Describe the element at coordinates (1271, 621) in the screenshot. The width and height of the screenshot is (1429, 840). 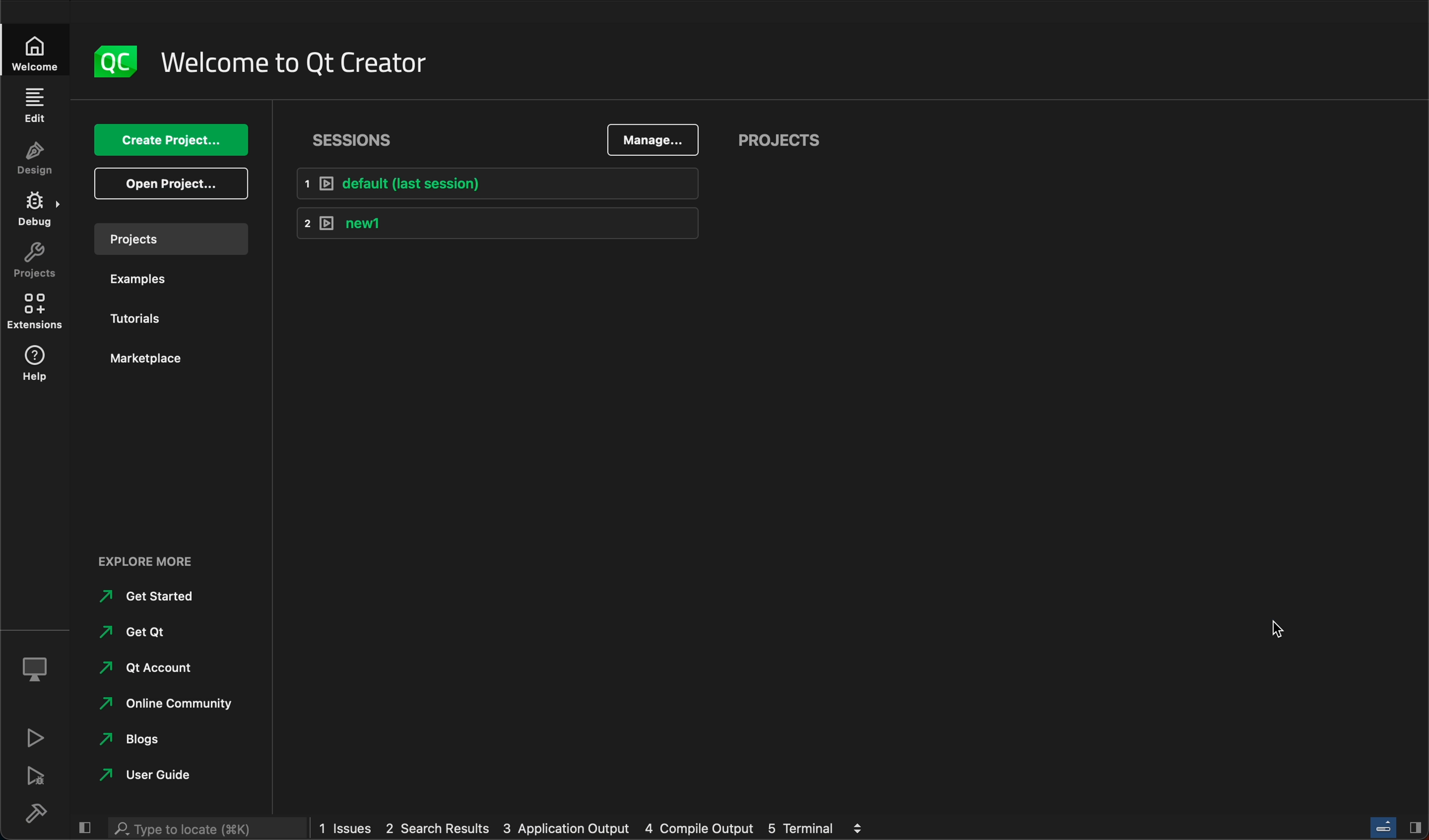
I see `cursor` at that location.